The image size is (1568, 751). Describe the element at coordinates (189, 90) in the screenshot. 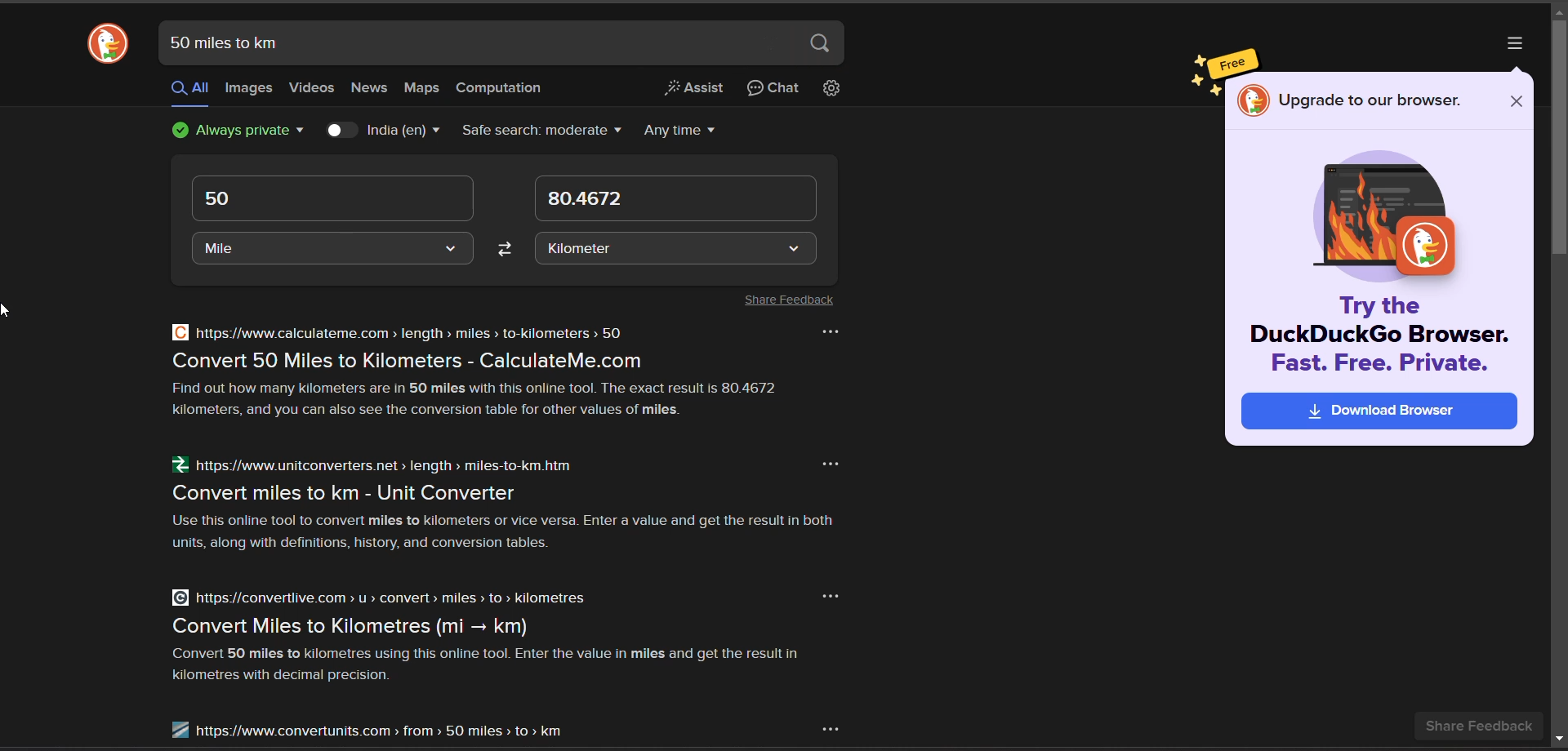

I see `all` at that location.